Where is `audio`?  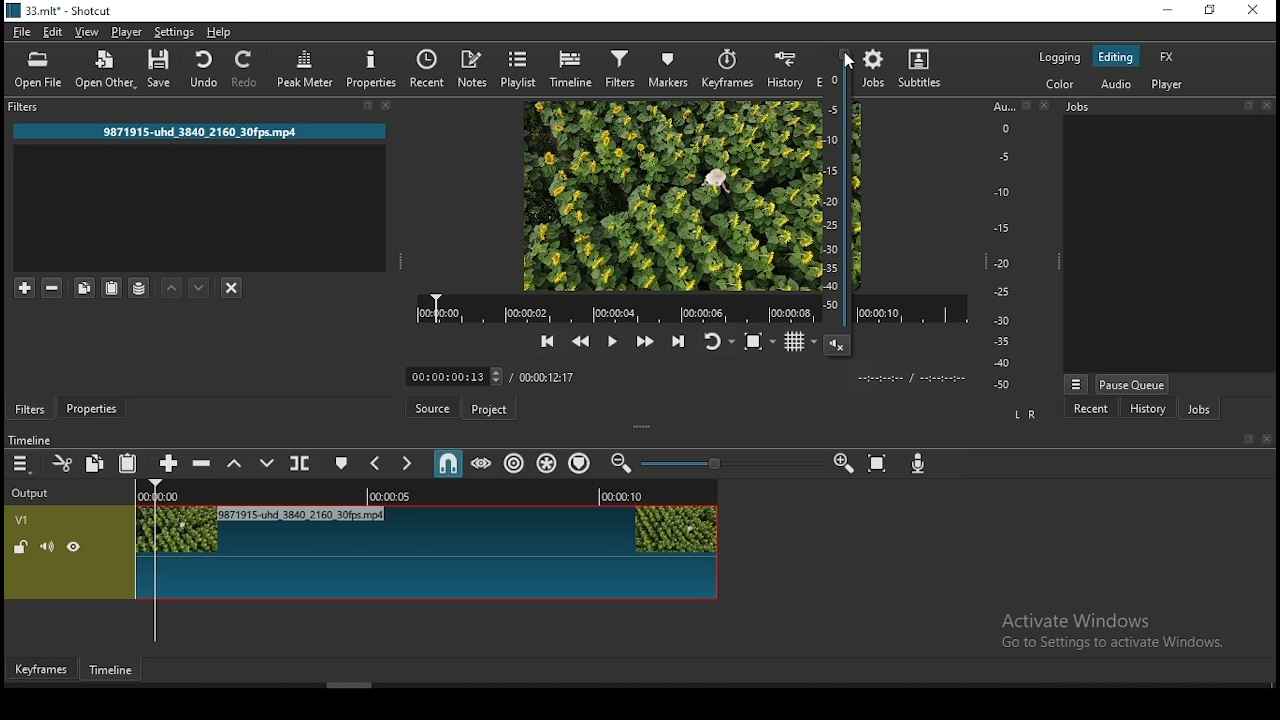
audio is located at coordinates (1116, 81).